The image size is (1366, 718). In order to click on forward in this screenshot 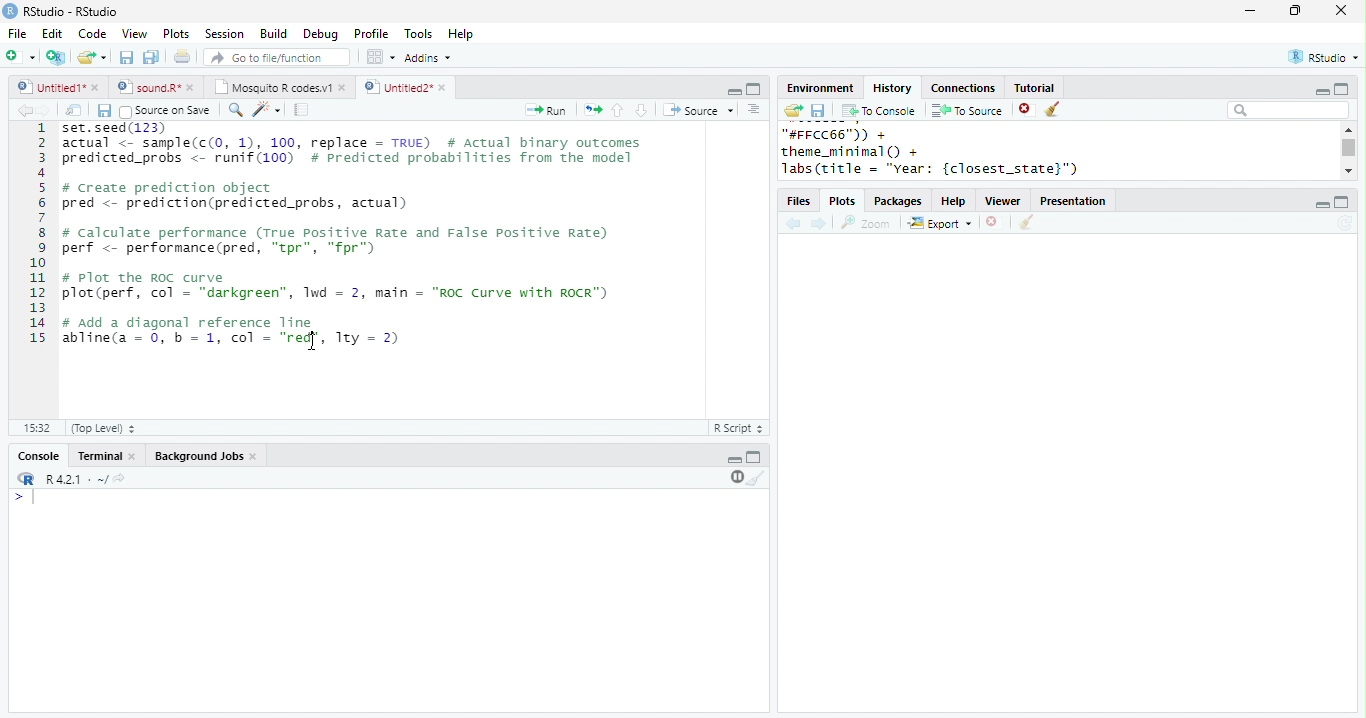, I will do `click(44, 110)`.